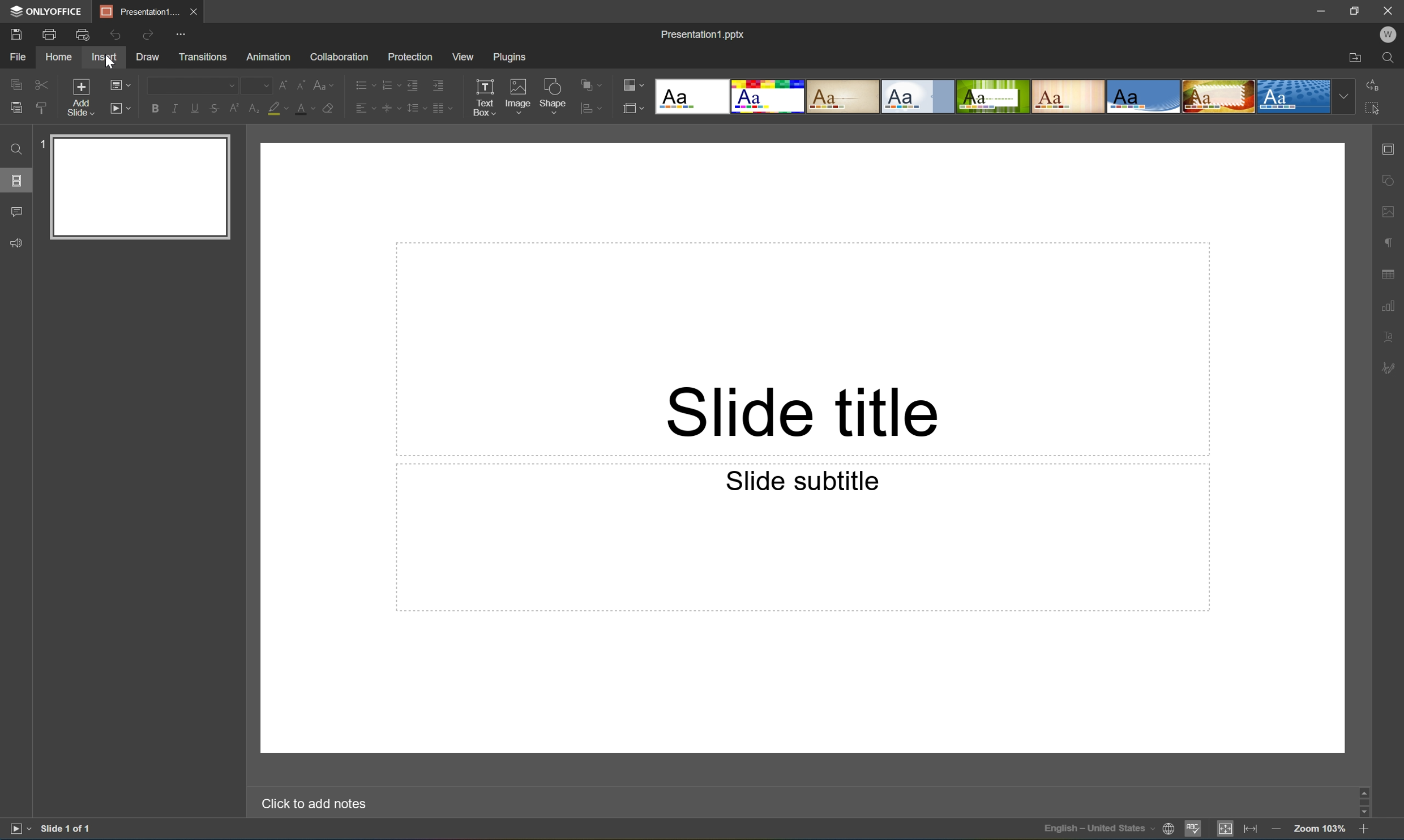 Image resolution: width=1404 pixels, height=840 pixels. Describe the element at coordinates (1225, 829) in the screenshot. I see `Fit to slide` at that location.